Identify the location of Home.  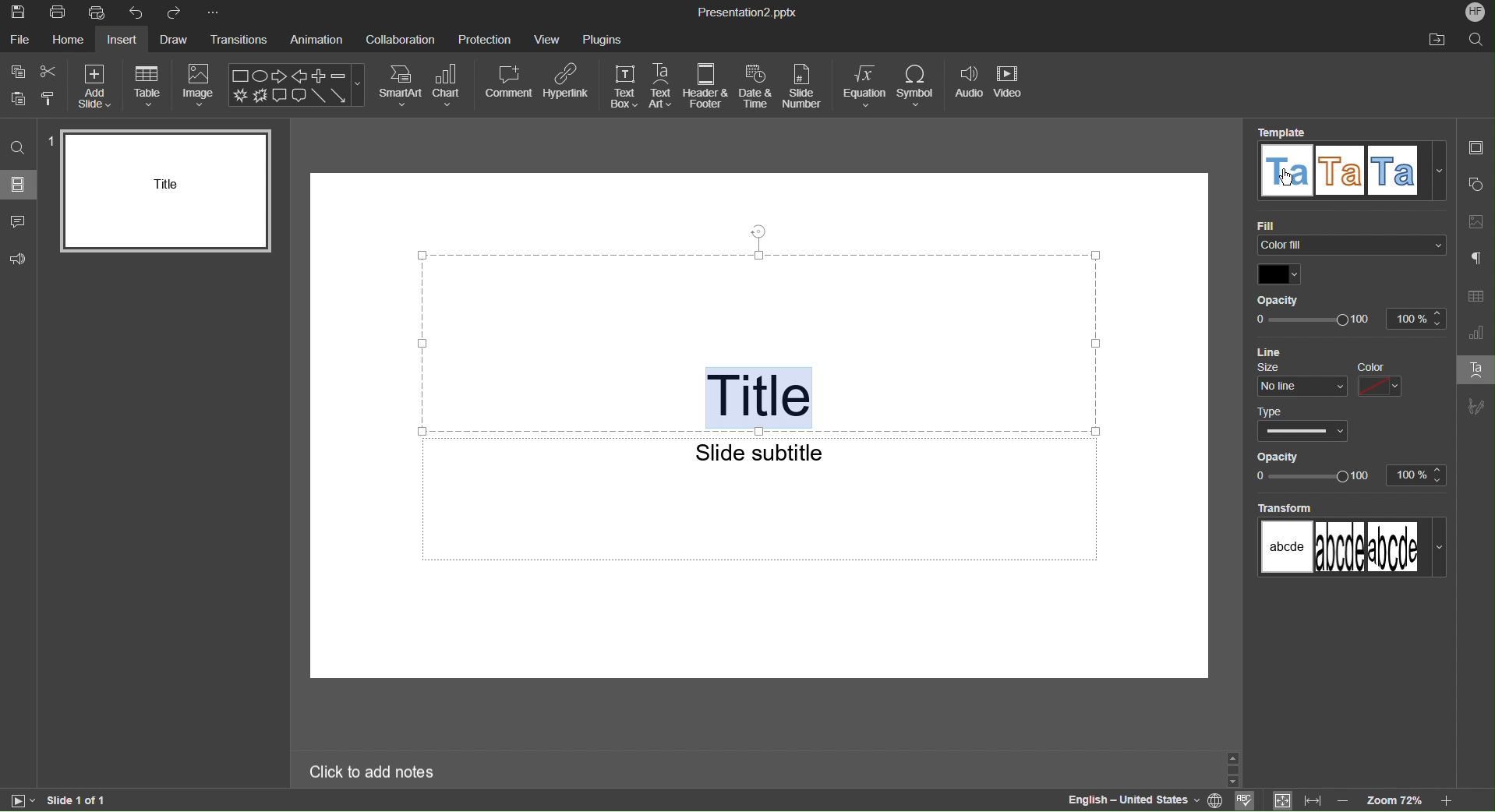
(68, 41).